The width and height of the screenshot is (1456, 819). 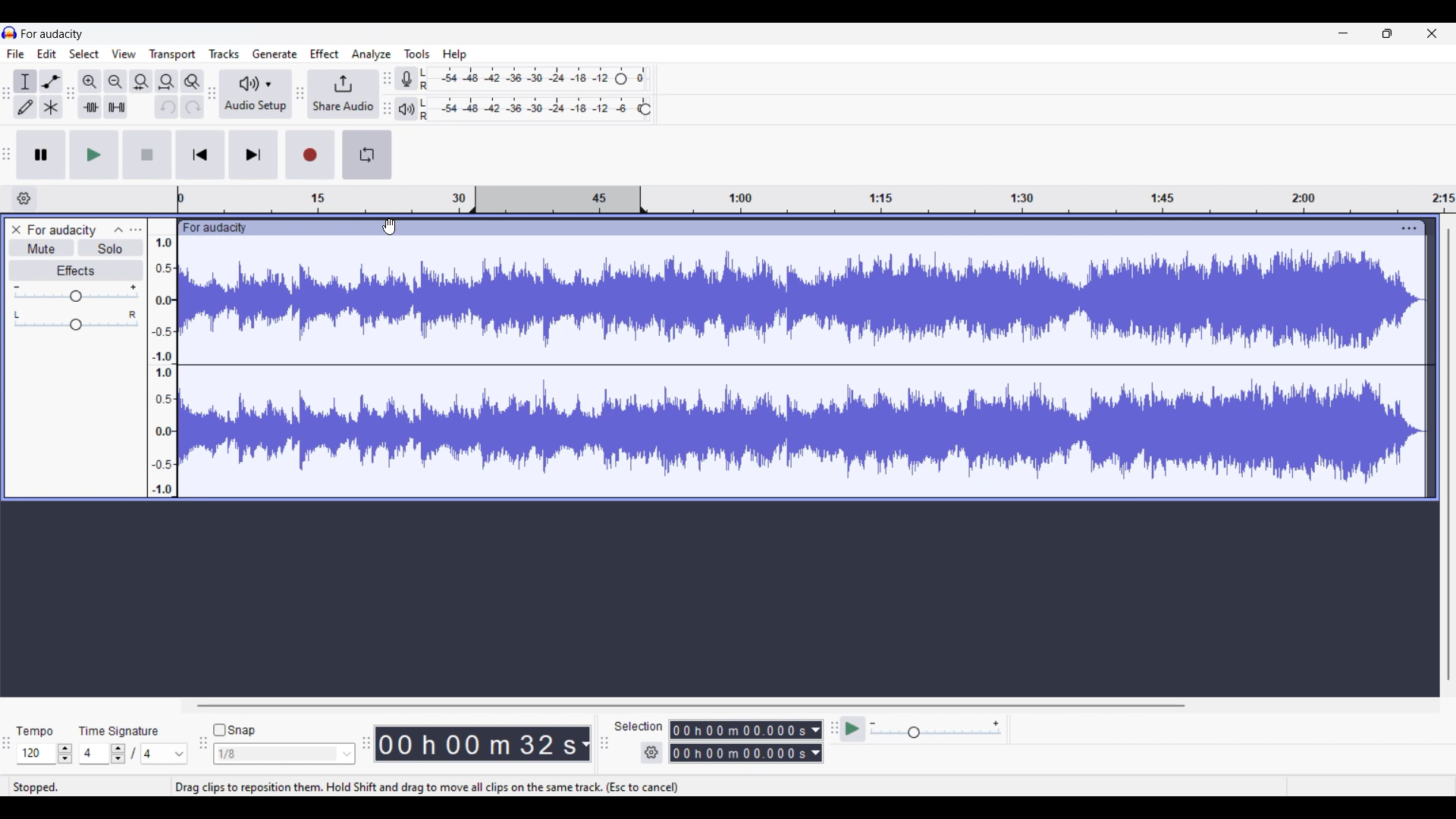 I want to click on Generate menu, so click(x=275, y=54).